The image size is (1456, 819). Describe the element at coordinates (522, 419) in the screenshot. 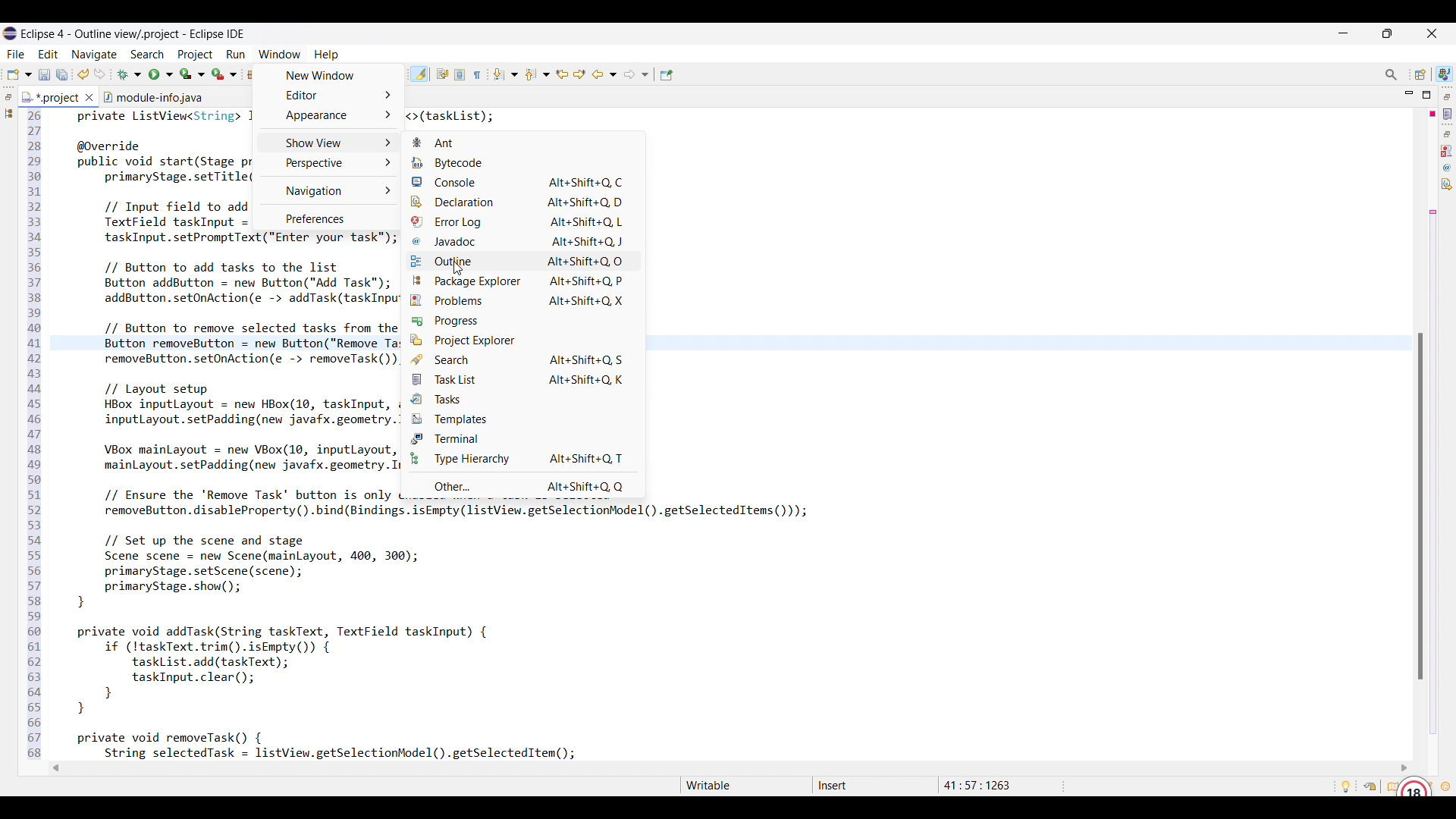

I see `Templates` at that location.